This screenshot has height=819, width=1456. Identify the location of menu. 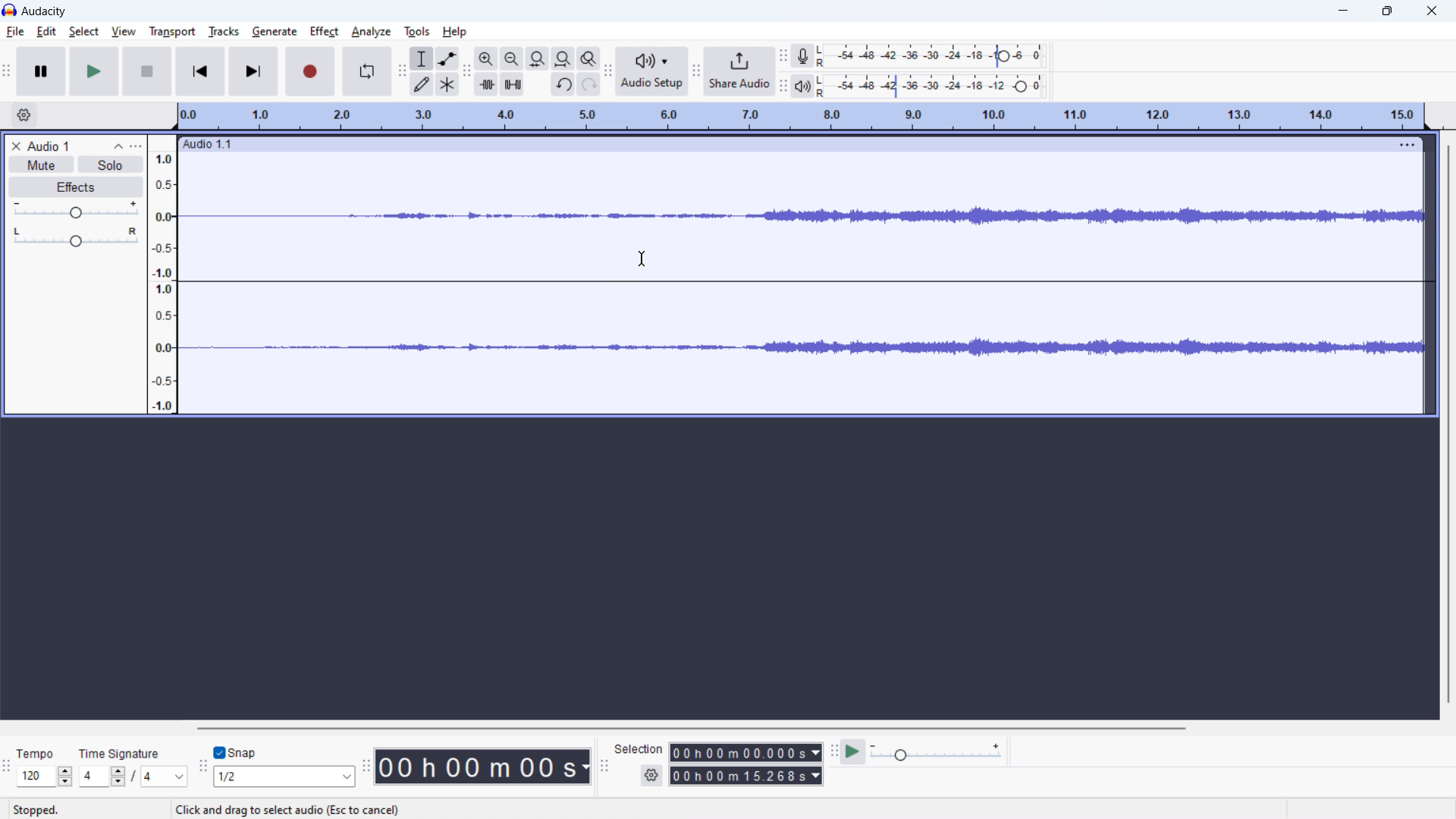
(1407, 144).